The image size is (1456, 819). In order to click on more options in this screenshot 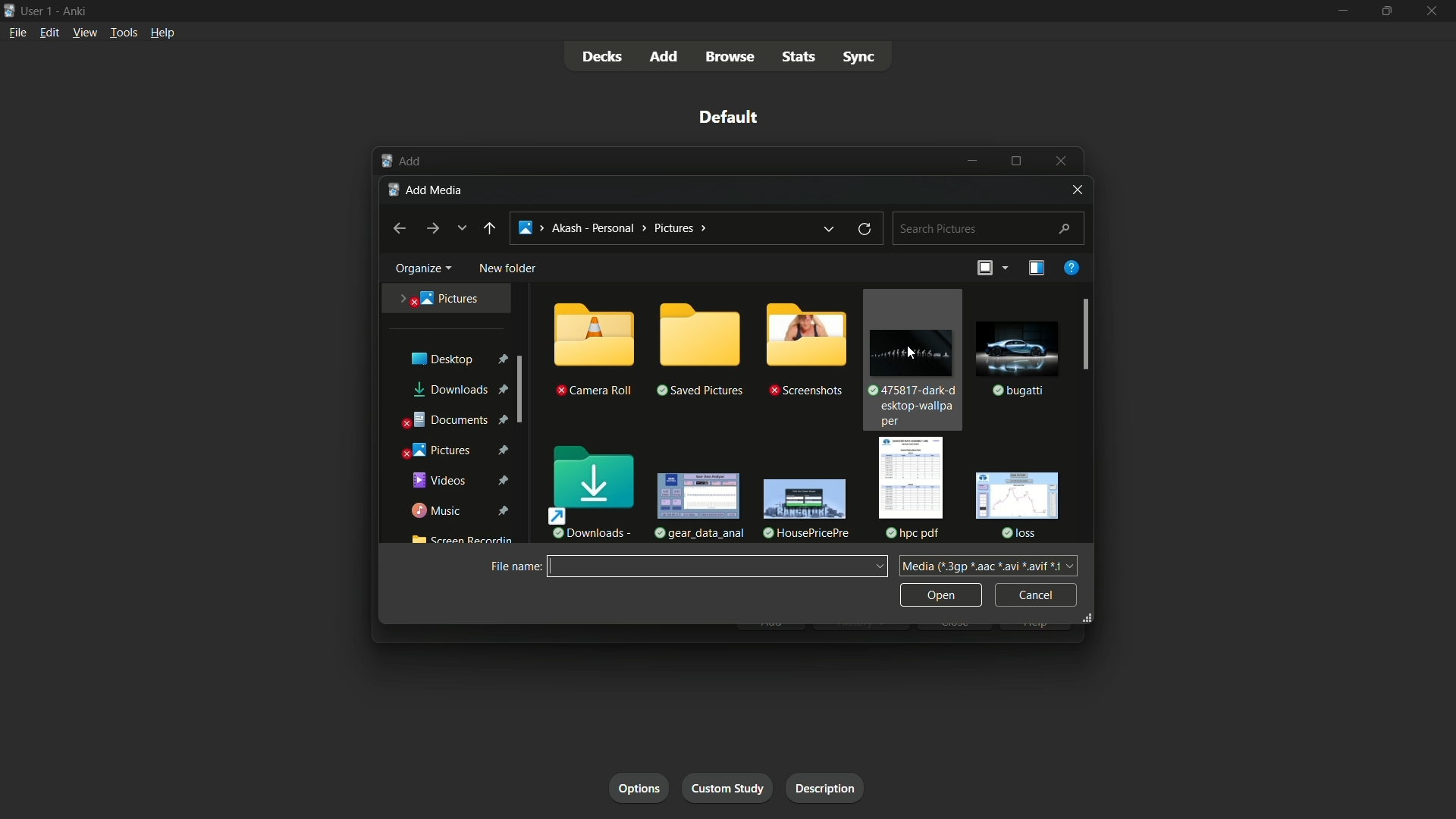, I will do `click(1005, 268)`.